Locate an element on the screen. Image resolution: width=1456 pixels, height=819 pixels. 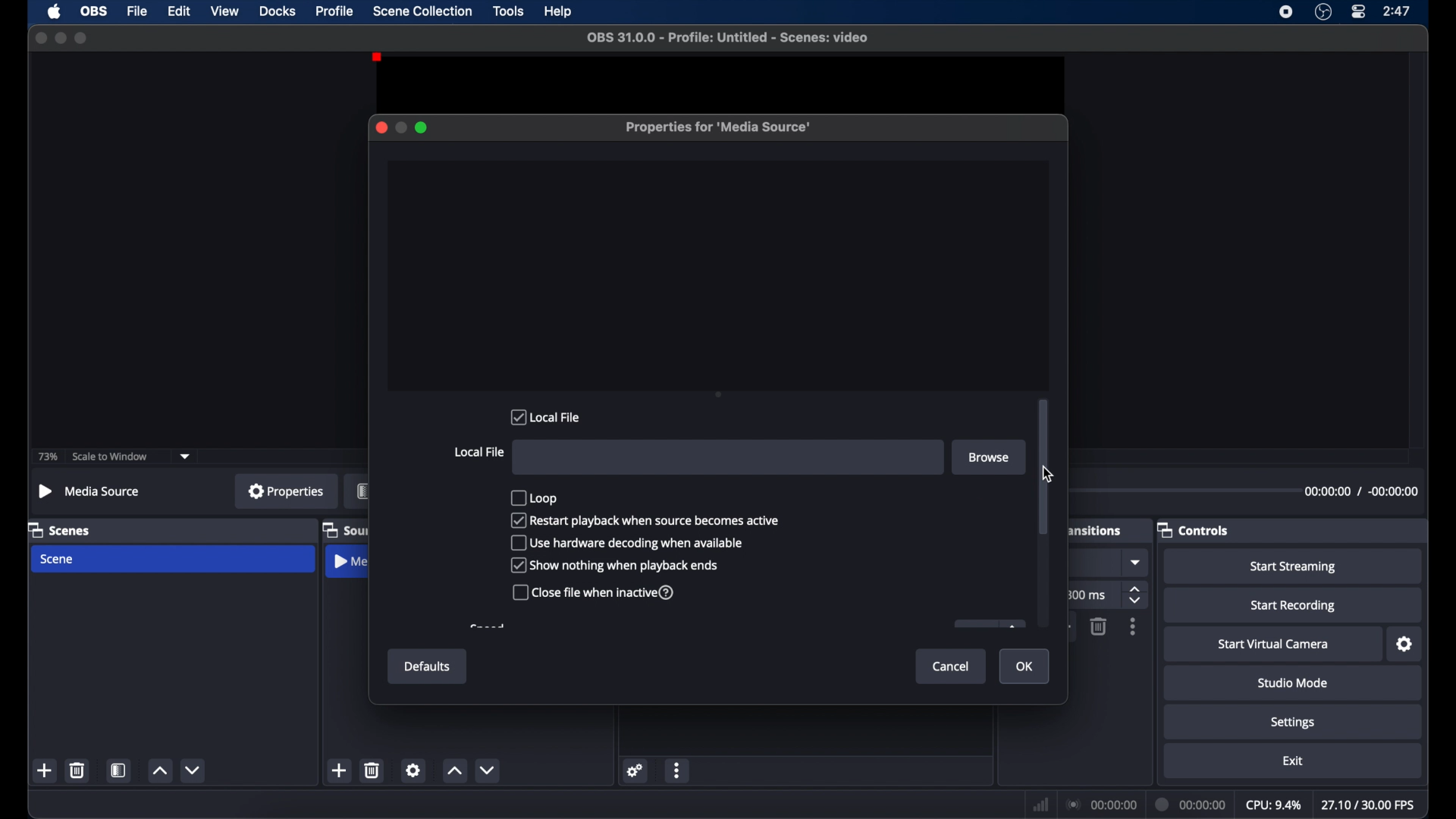
time is located at coordinates (1398, 11).